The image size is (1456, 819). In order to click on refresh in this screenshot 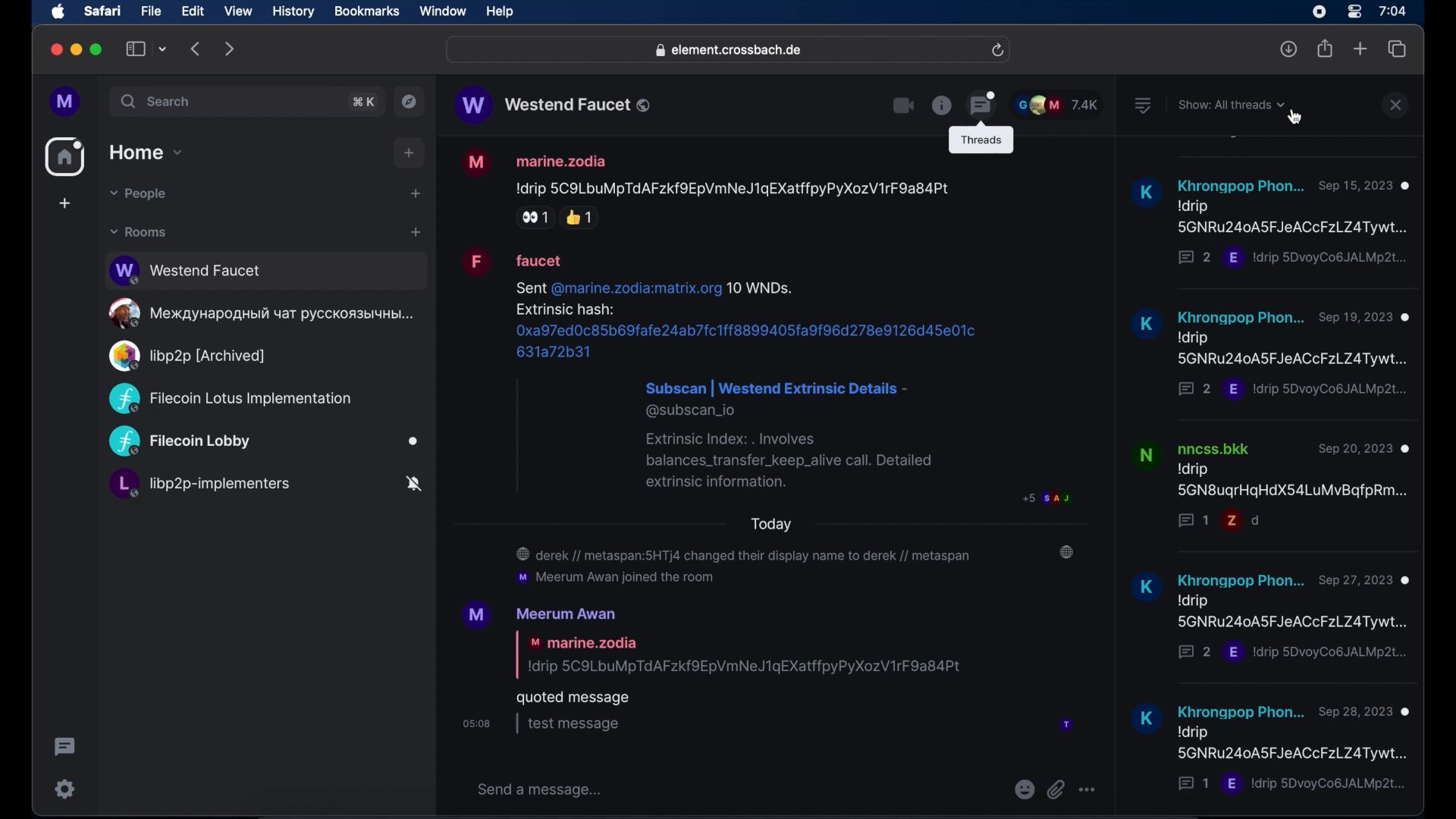, I will do `click(998, 50)`.